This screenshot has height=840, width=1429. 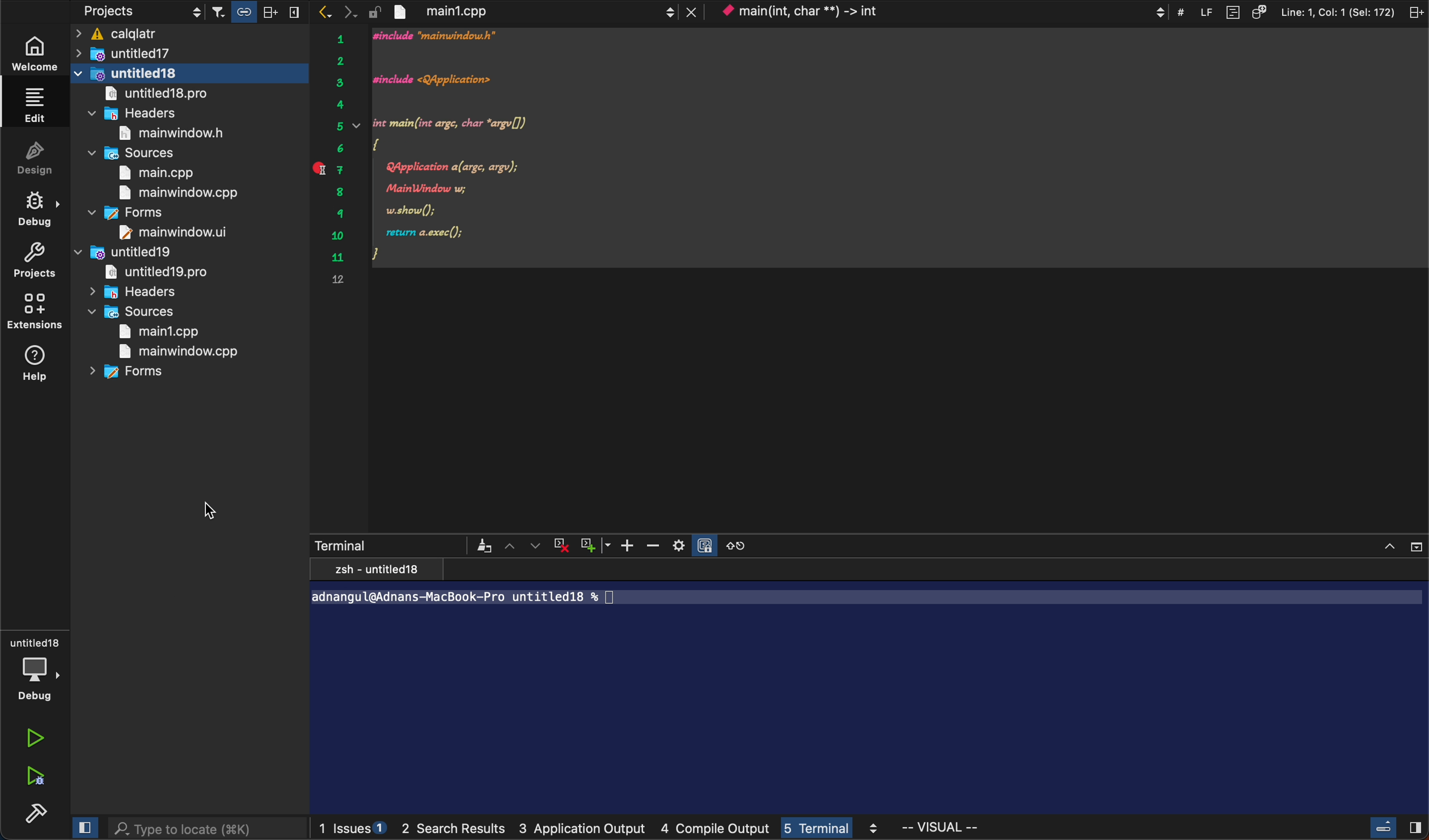 I want to click on terminal, so click(x=389, y=545).